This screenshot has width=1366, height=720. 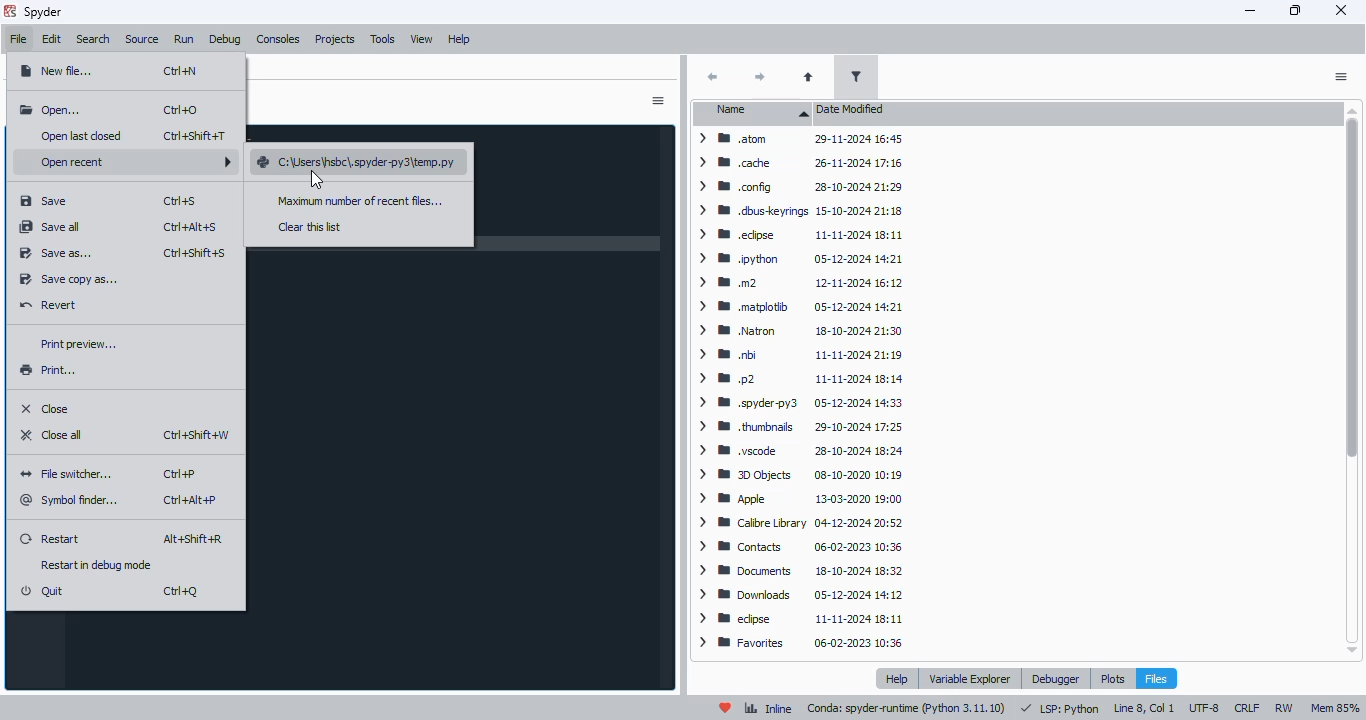 I want to click on open recent, so click(x=132, y=161).